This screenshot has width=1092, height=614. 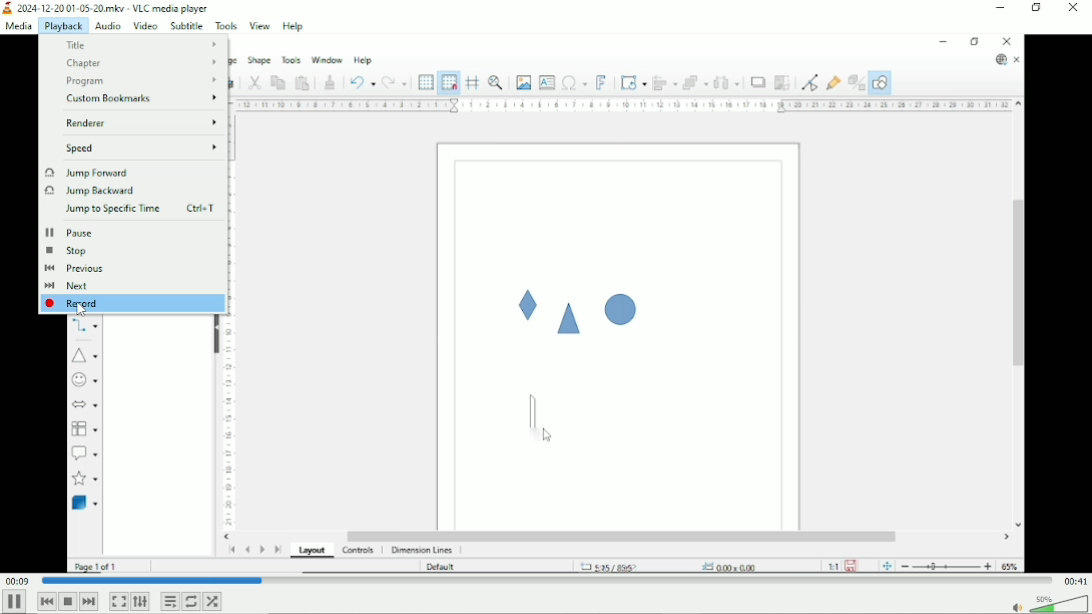 I want to click on Video, so click(x=144, y=26).